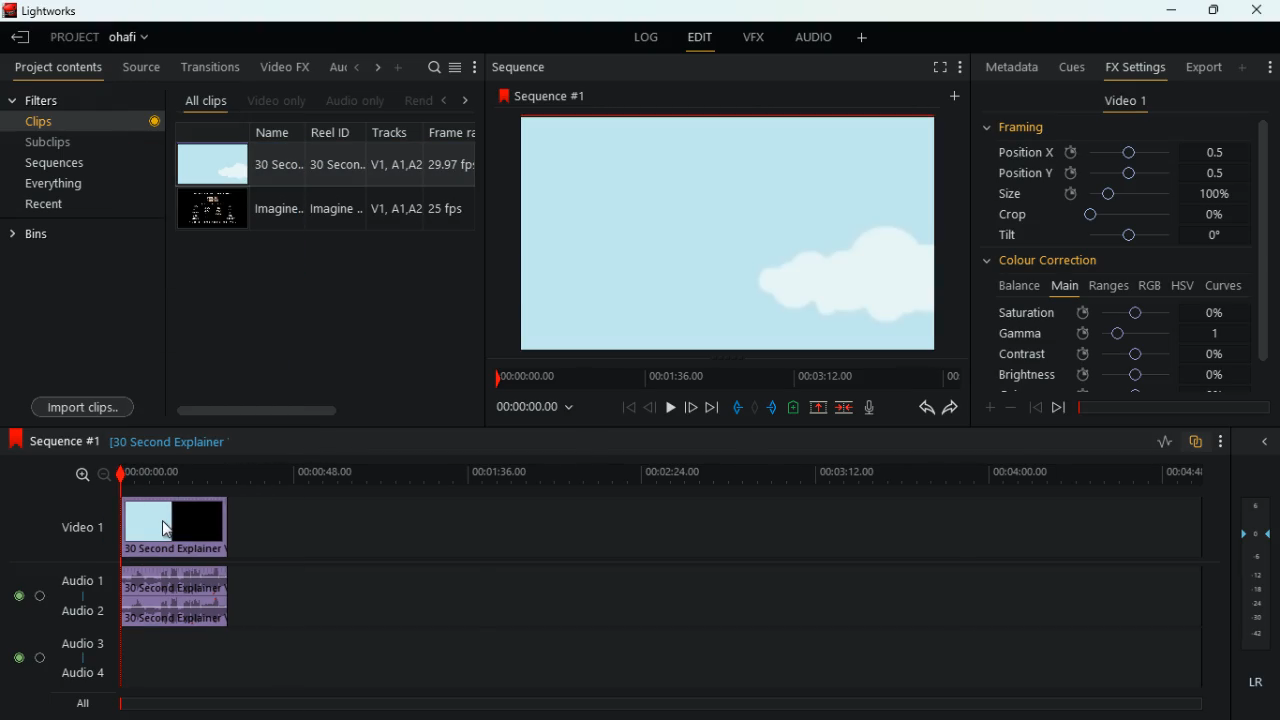  Describe the element at coordinates (42, 101) in the screenshot. I see `filters` at that location.